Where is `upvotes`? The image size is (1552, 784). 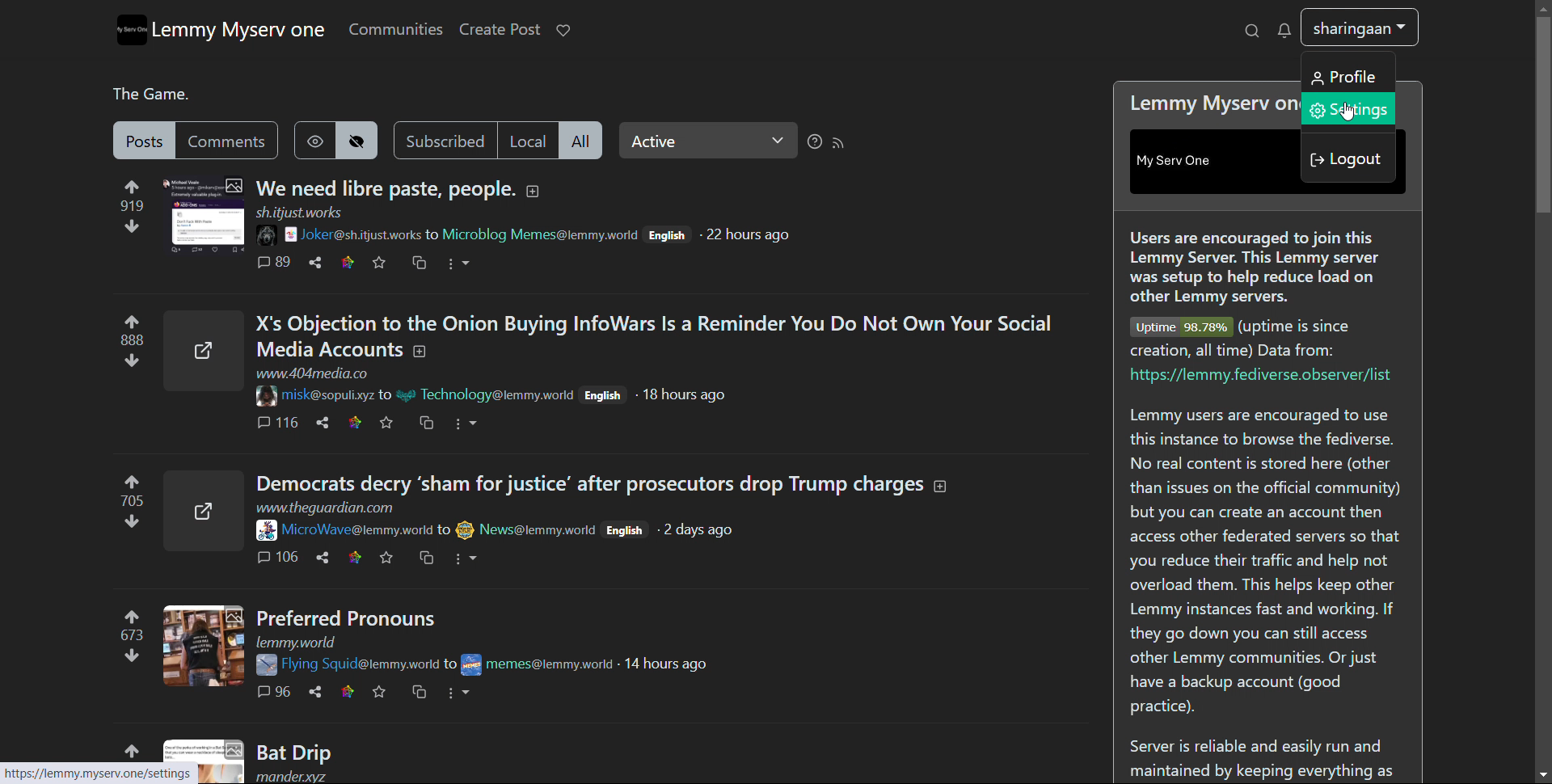 upvotes is located at coordinates (129, 615).